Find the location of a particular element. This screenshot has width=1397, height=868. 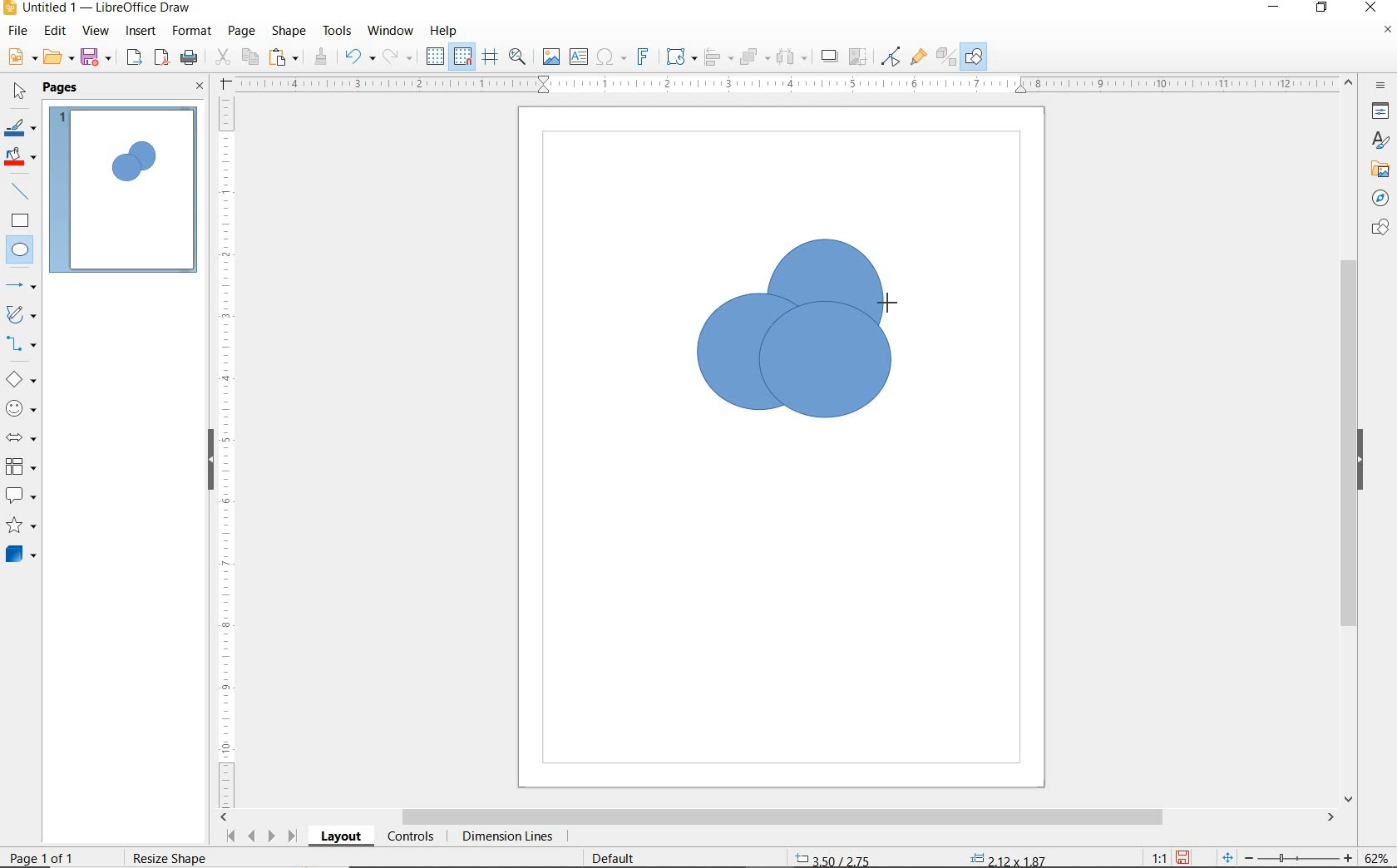

DRAWN CIRCLE is located at coordinates (824, 300).